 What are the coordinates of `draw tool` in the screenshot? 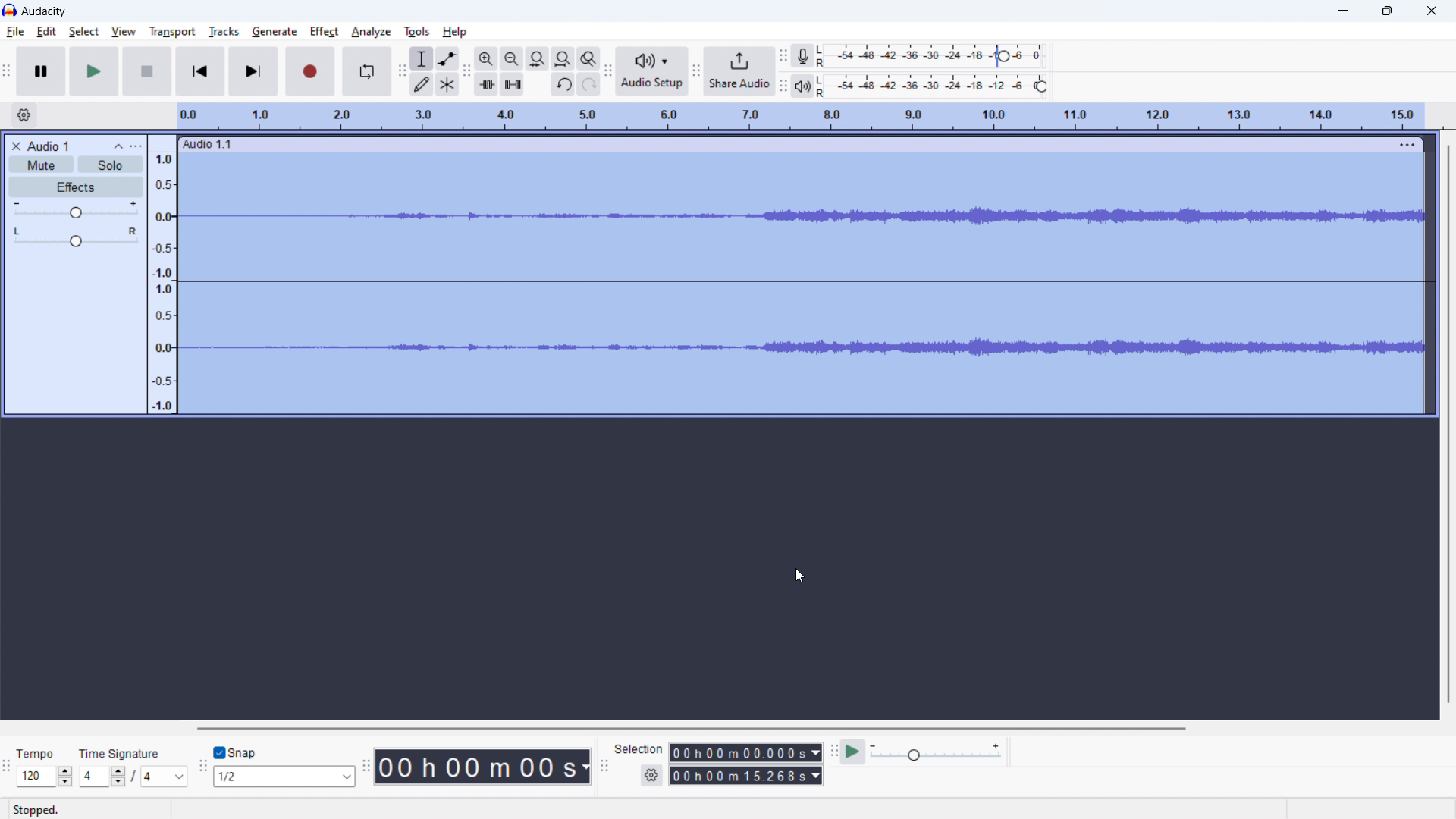 It's located at (422, 83).